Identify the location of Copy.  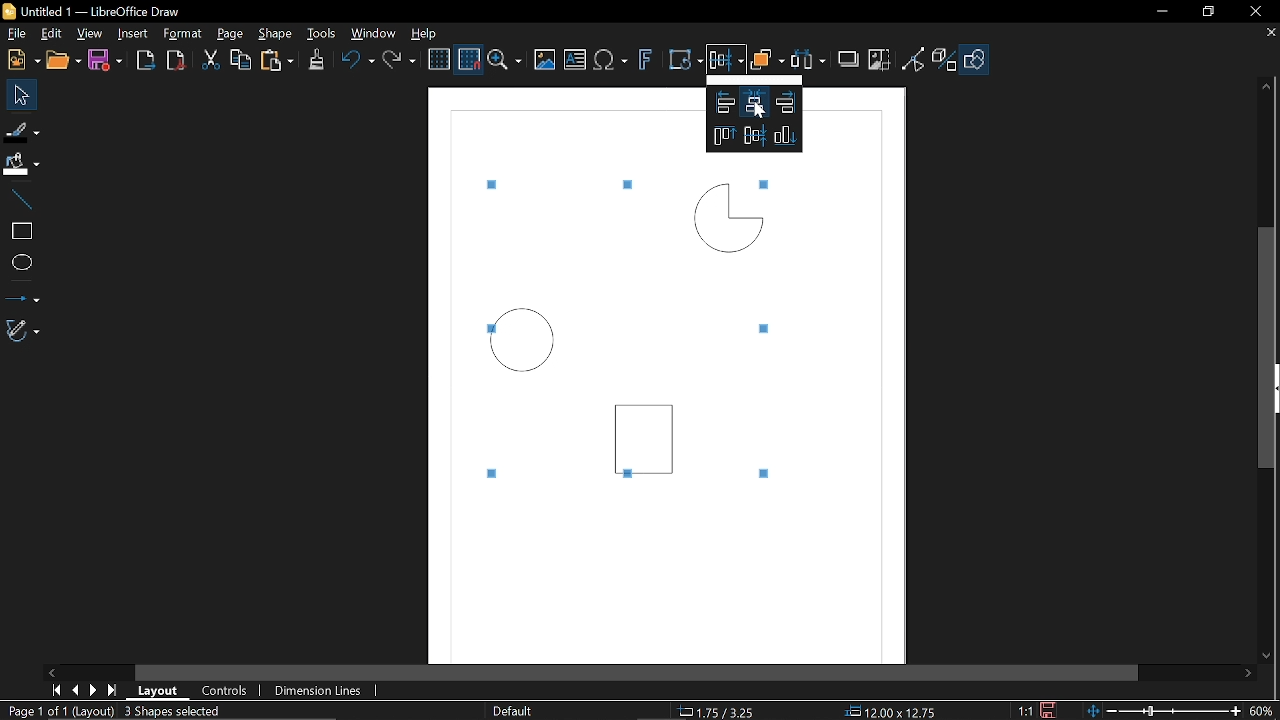
(243, 60).